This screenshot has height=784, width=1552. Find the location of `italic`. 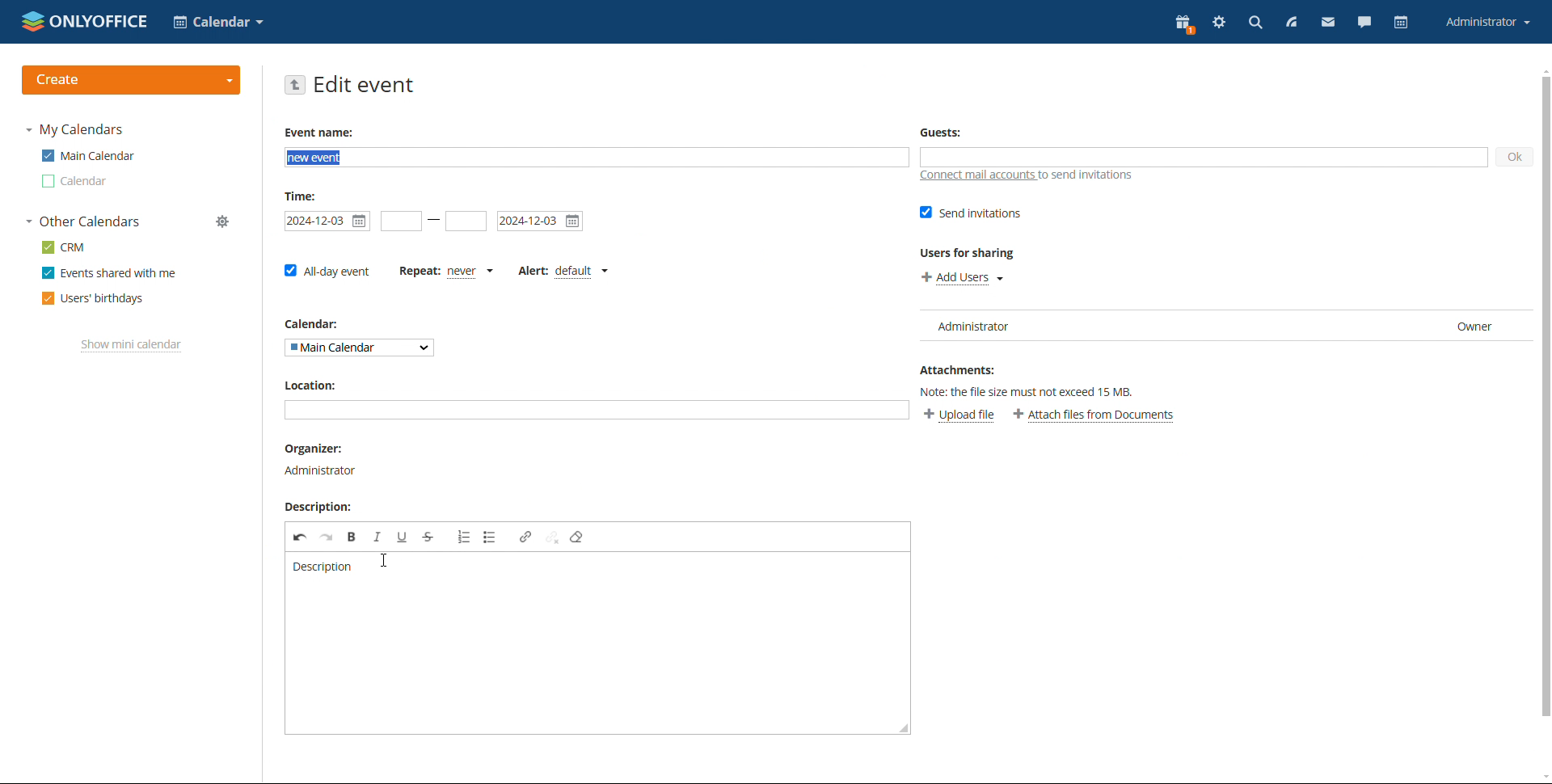

italic is located at coordinates (377, 536).